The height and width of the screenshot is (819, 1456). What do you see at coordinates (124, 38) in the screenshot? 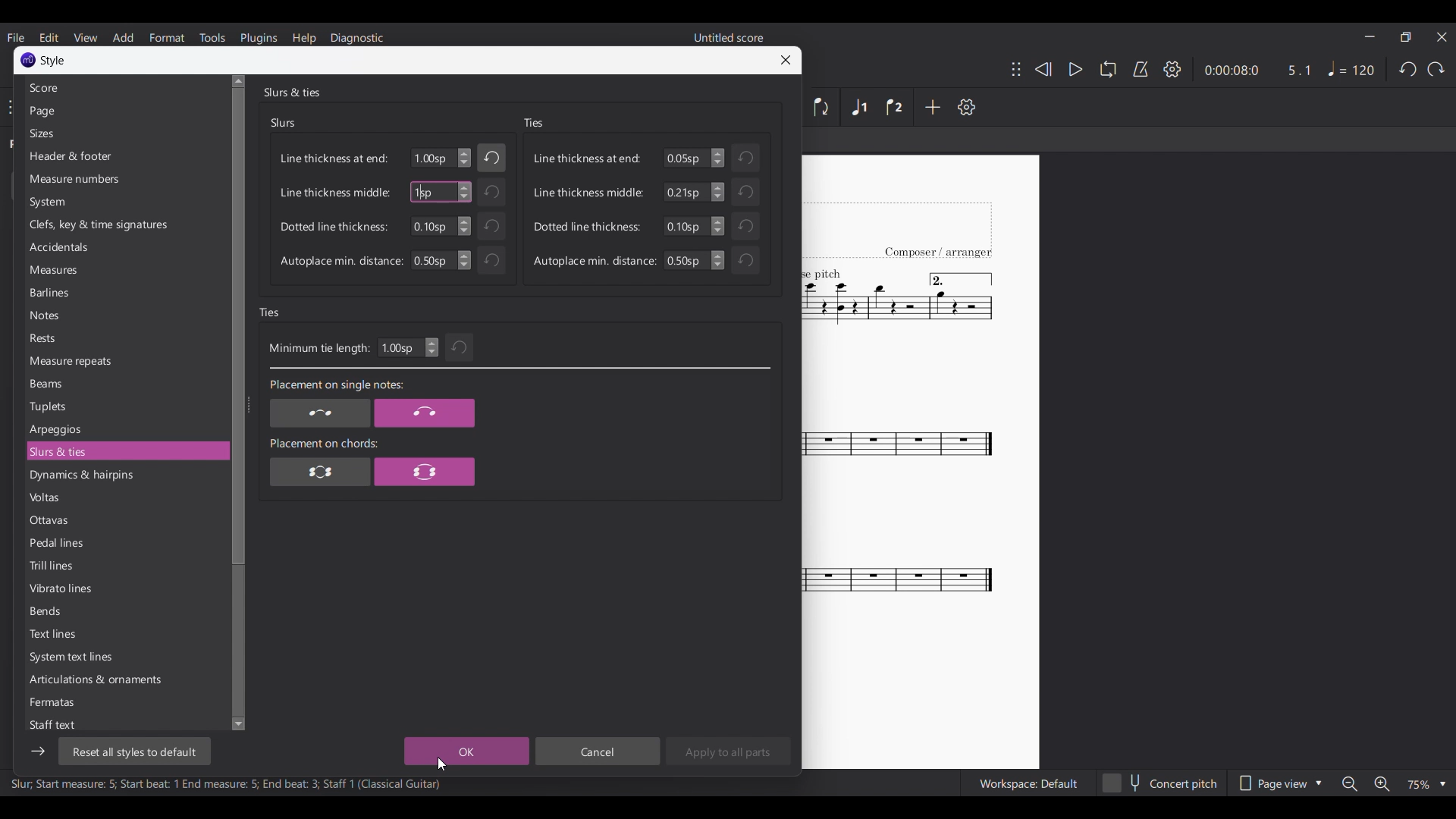
I see `Add menu` at bounding box center [124, 38].